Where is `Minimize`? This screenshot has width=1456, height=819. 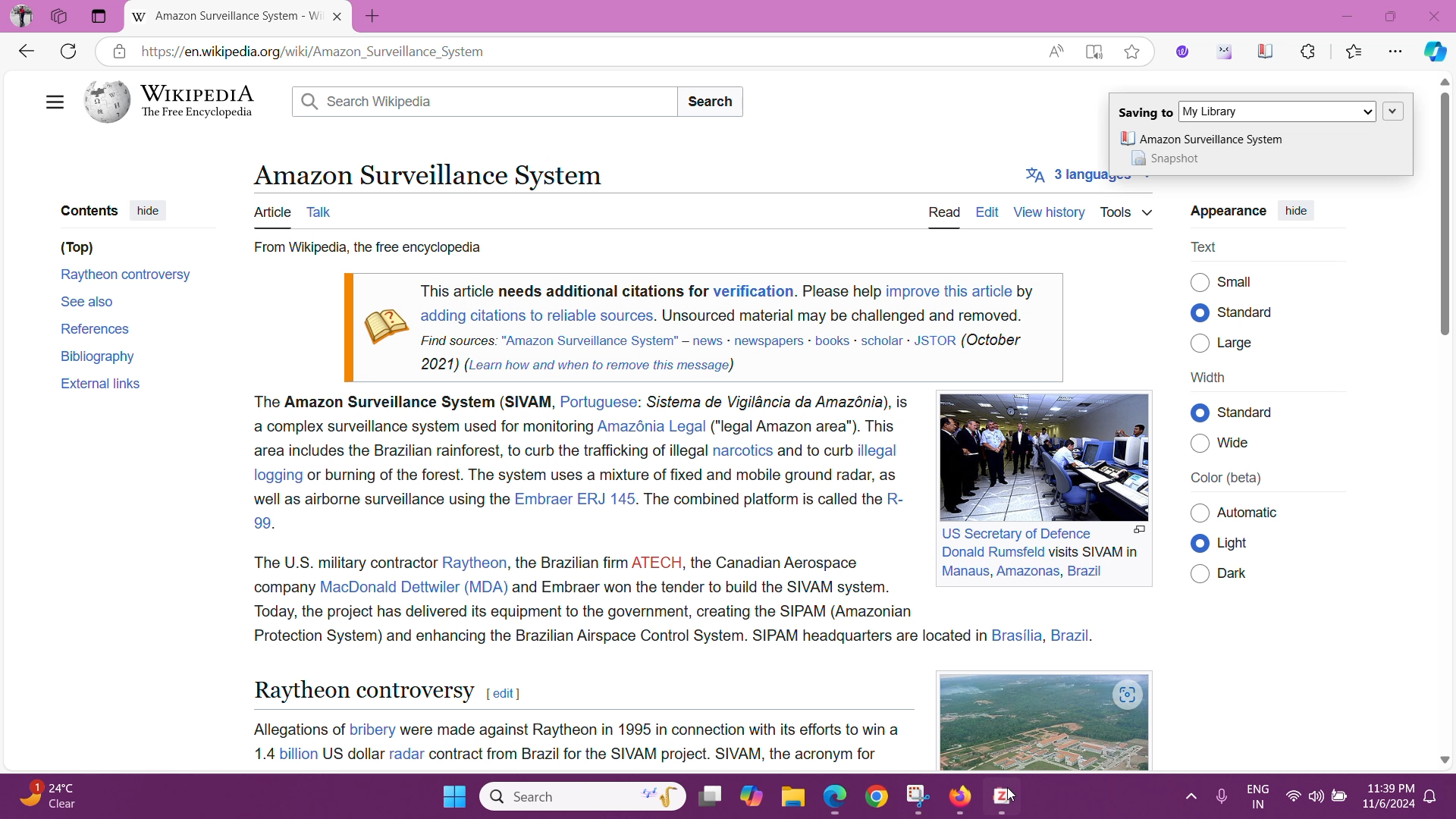
Minimize is located at coordinates (1351, 15).